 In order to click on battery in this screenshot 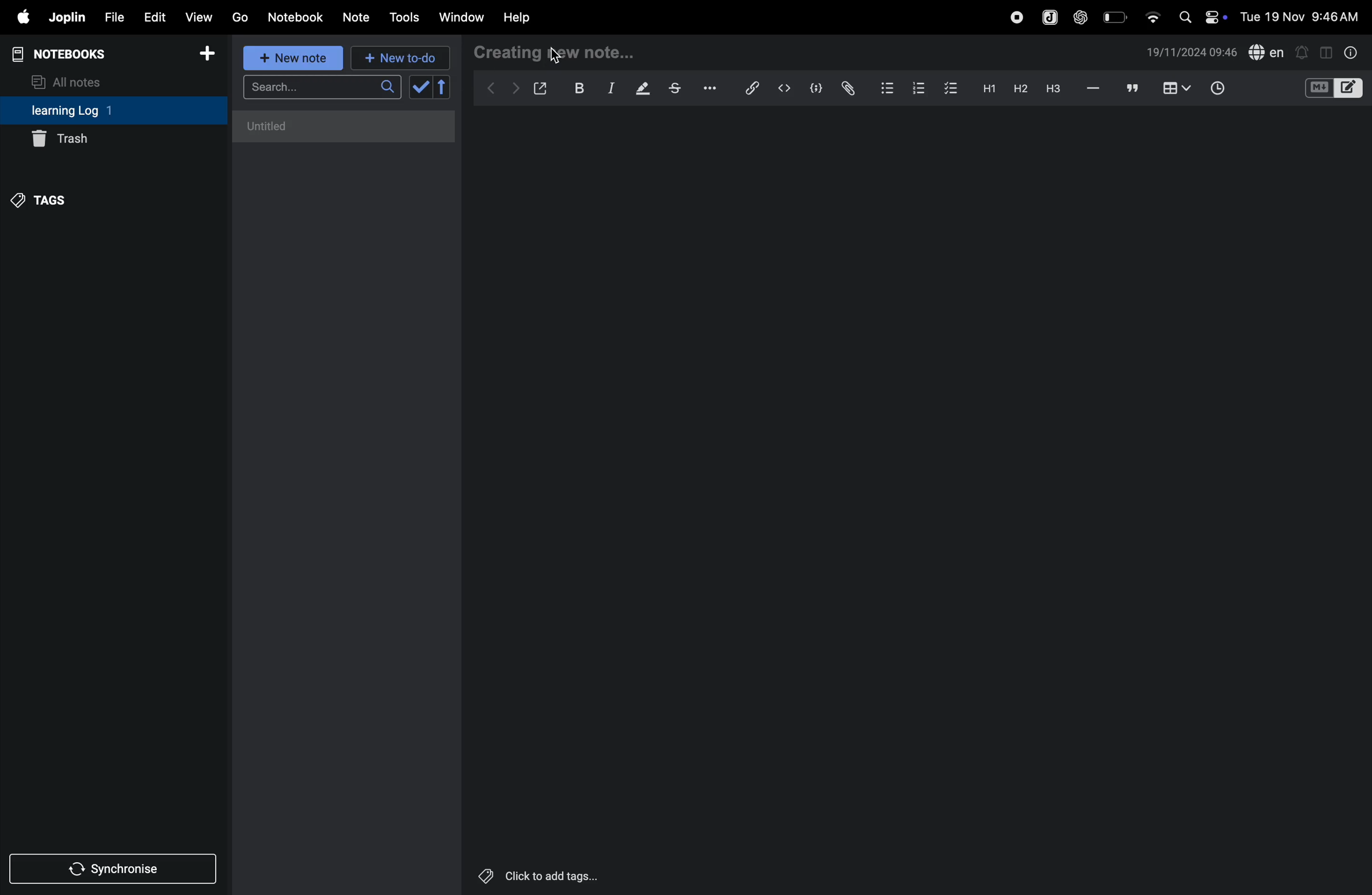, I will do `click(1116, 16)`.